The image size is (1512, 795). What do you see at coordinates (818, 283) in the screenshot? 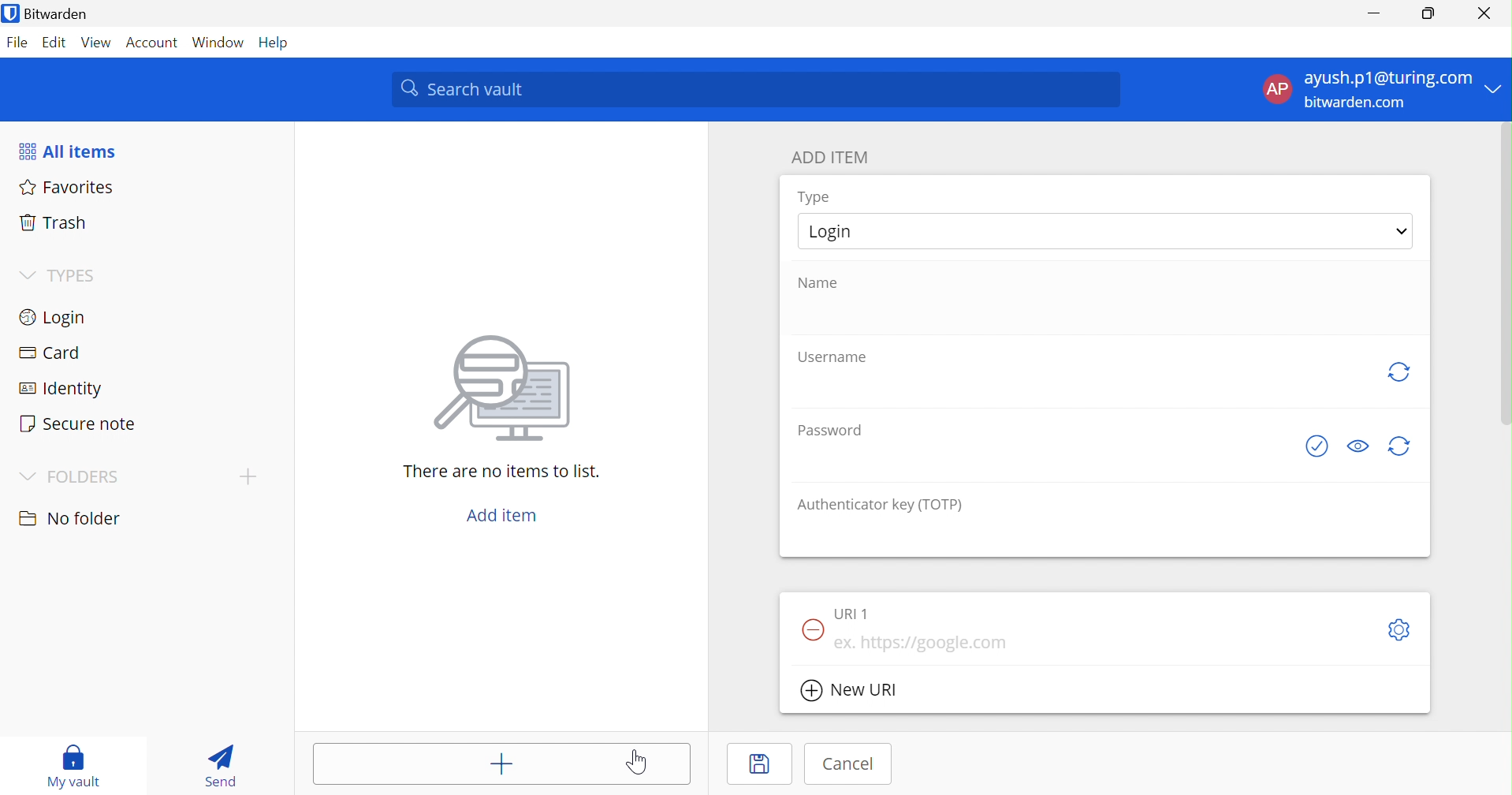
I see `Name` at bounding box center [818, 283].